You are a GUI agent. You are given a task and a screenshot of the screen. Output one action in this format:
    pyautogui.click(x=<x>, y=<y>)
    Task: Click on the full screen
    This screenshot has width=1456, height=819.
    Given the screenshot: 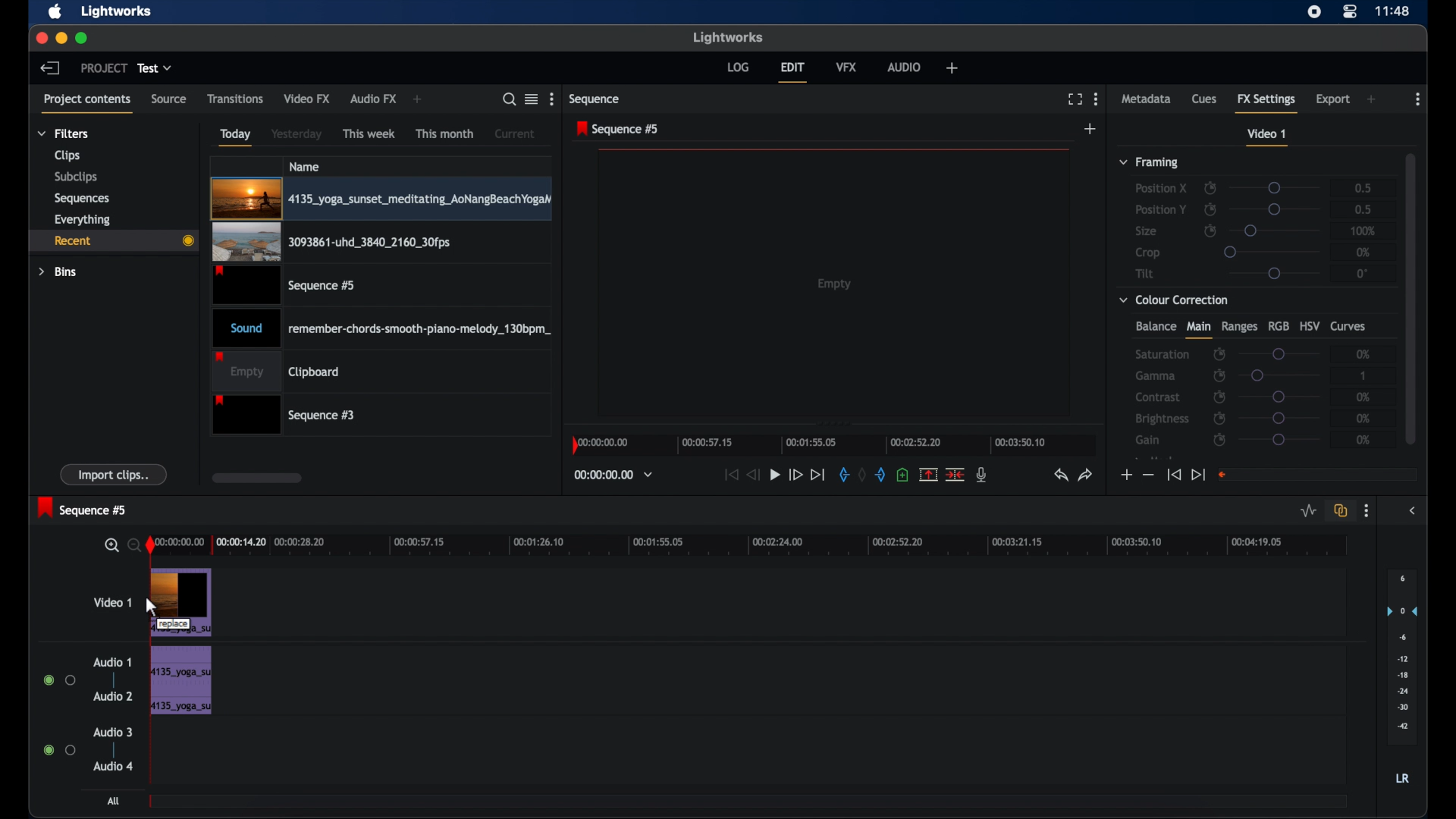 What is the action you would take?
    pyautogui.click(x=1075, y=99)
    